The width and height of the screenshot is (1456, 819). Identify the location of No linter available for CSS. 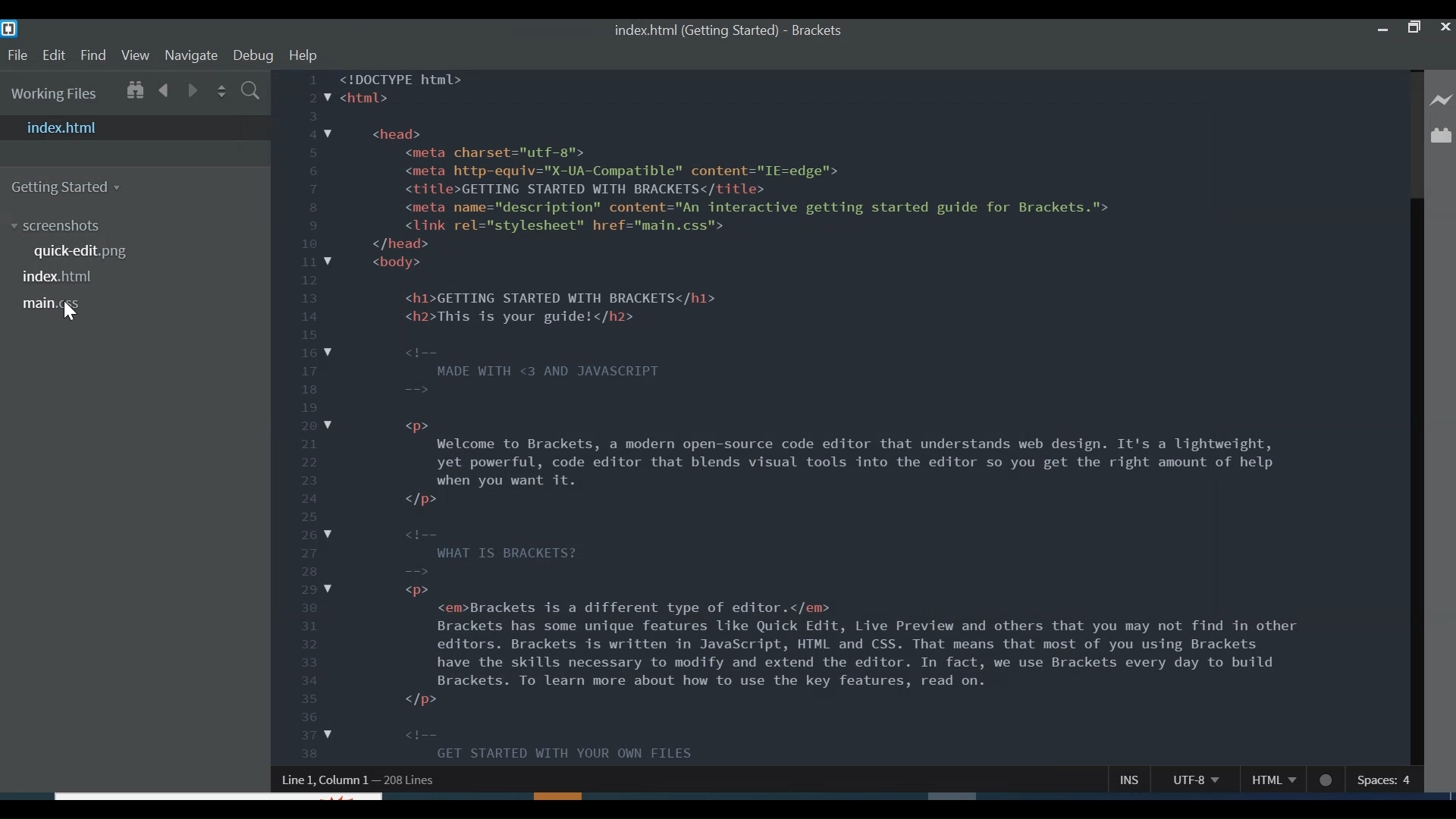
(1330, 780).